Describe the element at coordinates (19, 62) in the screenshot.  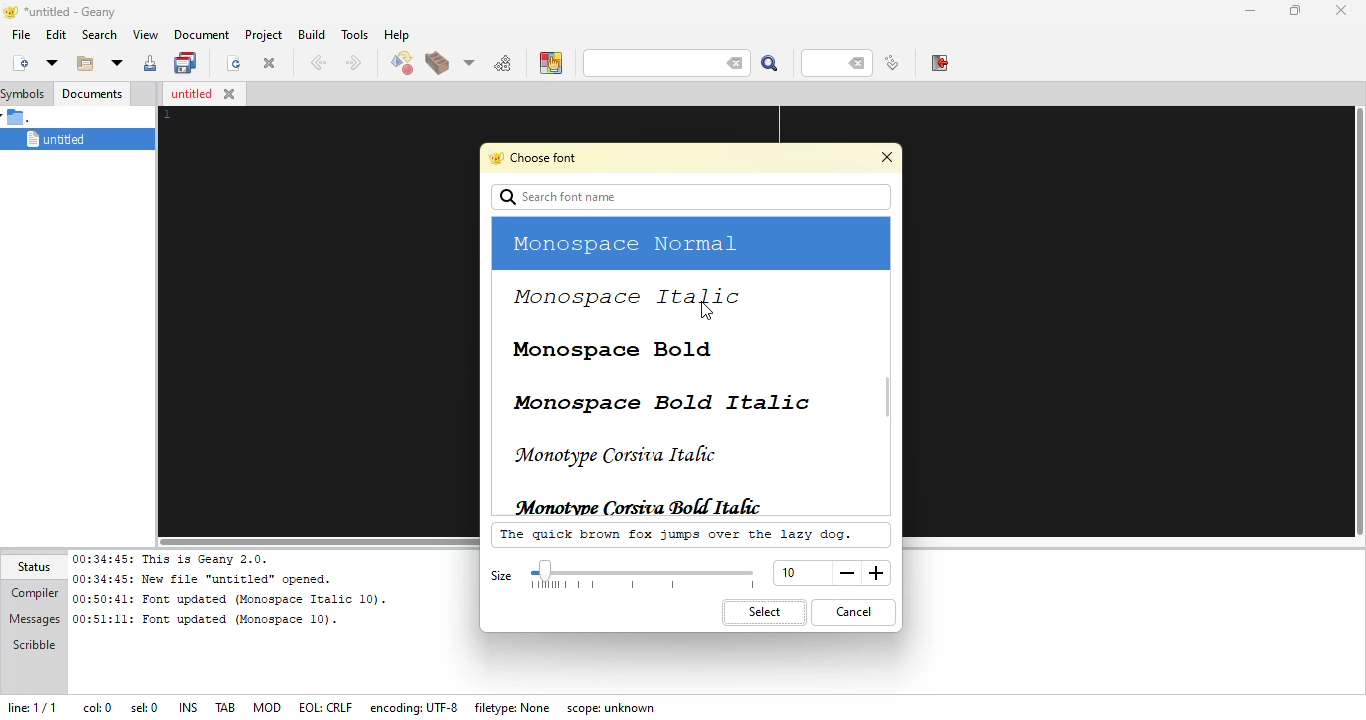
I see `create new` at that location.